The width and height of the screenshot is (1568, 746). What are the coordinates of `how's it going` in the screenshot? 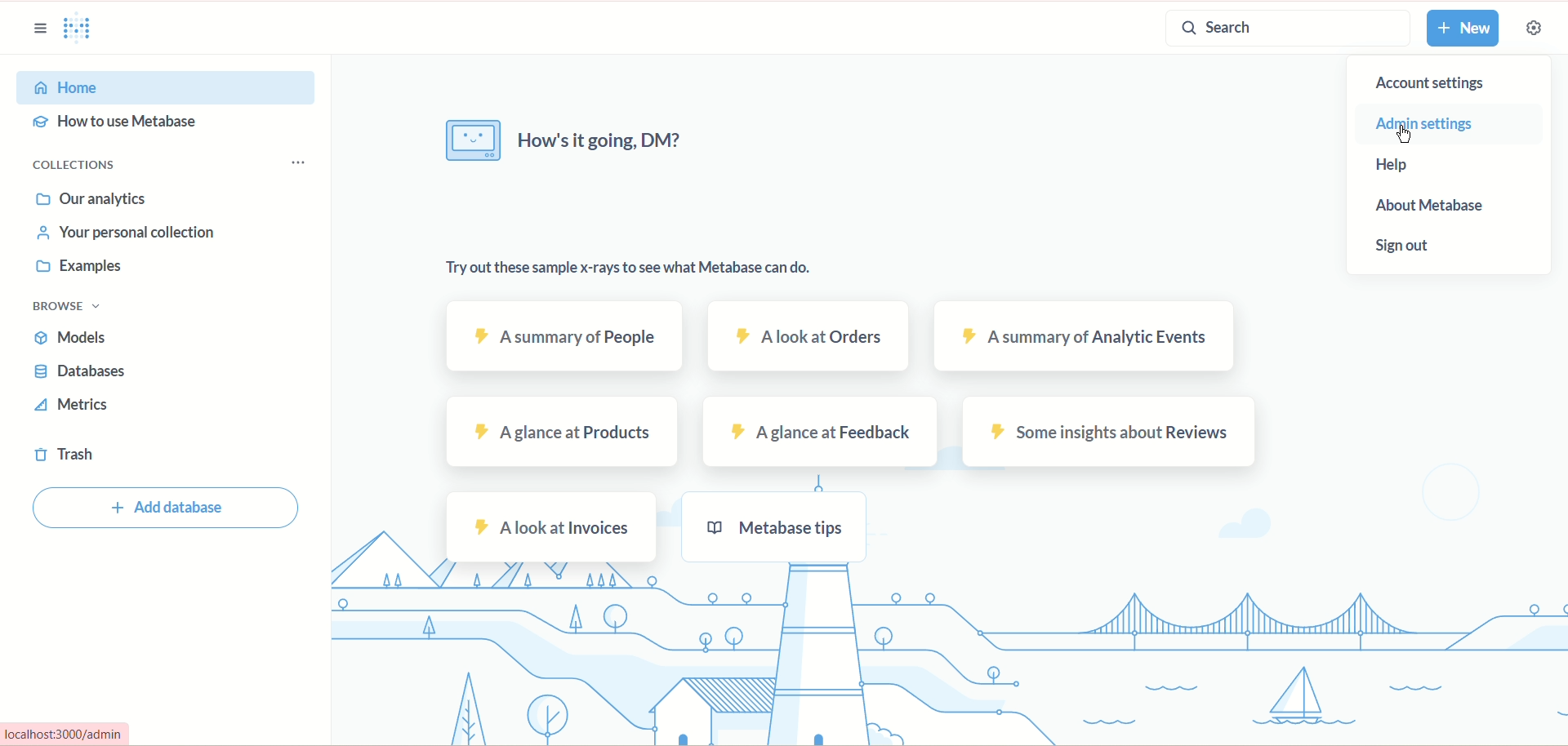 It's located at (609, 143).